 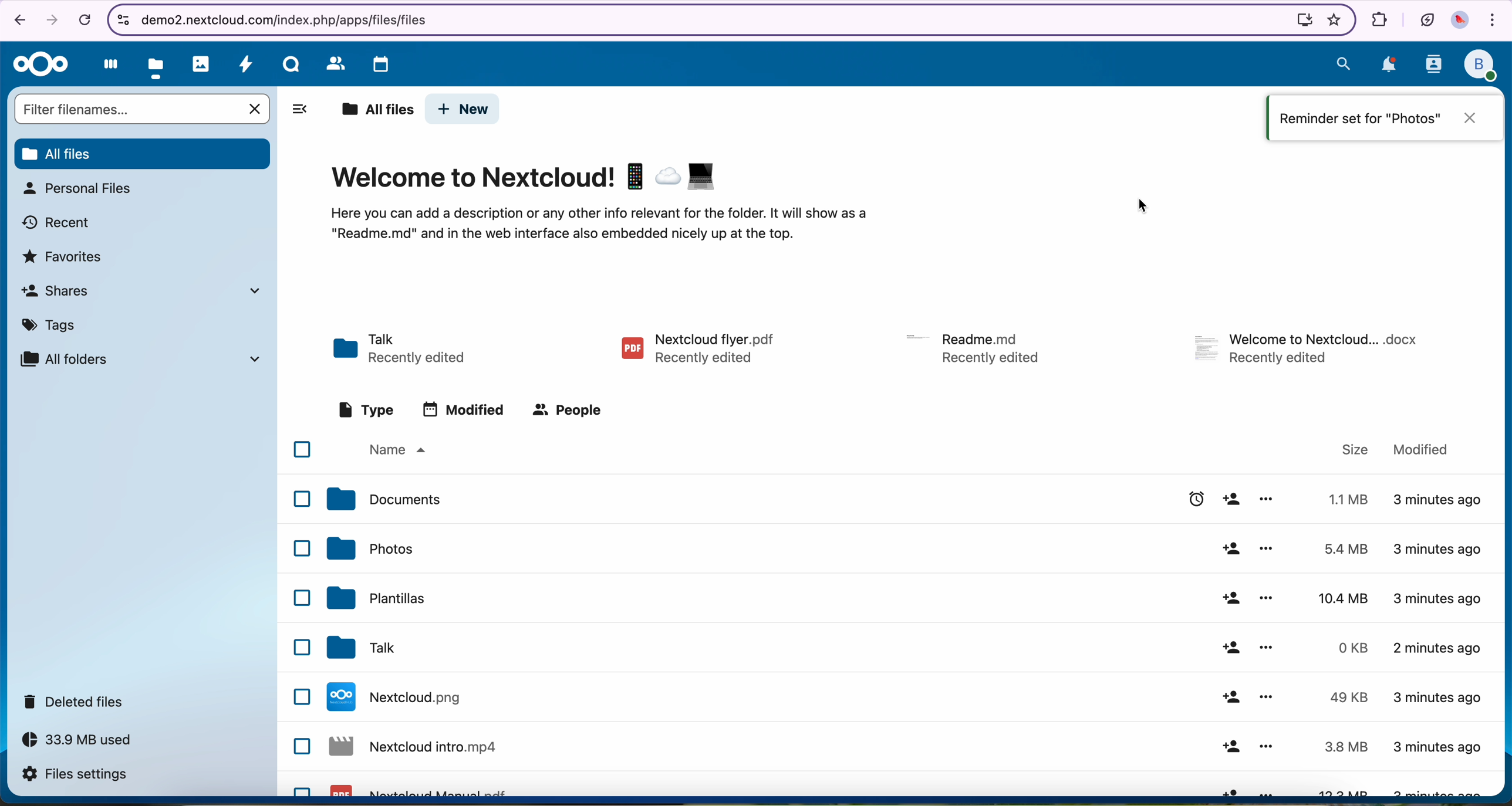 What do you see at coordinates (75, 775) in the screenshot?
I see `files settings` at bounding box center [75, 775].